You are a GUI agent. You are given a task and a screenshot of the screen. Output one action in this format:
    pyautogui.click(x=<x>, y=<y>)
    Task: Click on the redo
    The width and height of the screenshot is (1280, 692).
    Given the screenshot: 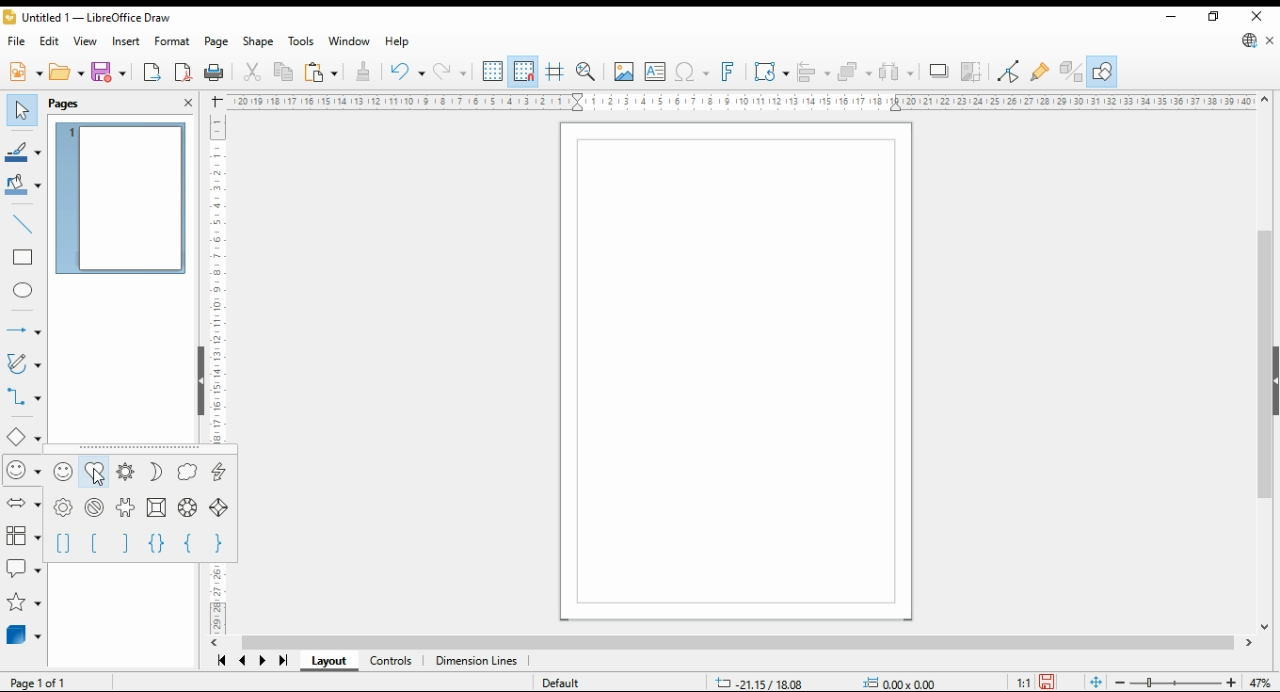 What is the action you would take?
    pyautogui.click(x=449, y=71)
    